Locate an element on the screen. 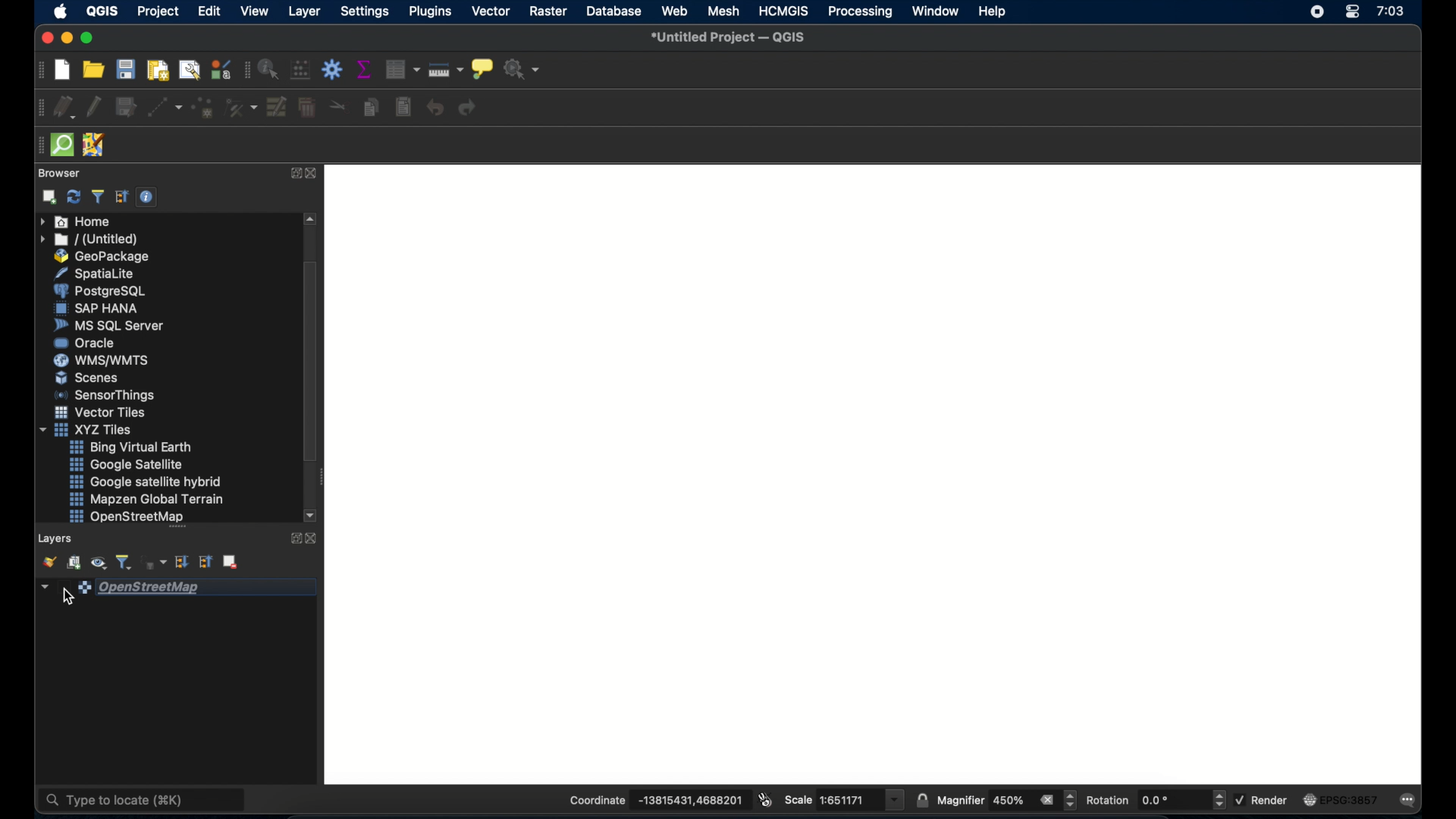 Image resolution: width=1456 pixels, height=819 pixels. mesh is located at coordinates (723, 9).